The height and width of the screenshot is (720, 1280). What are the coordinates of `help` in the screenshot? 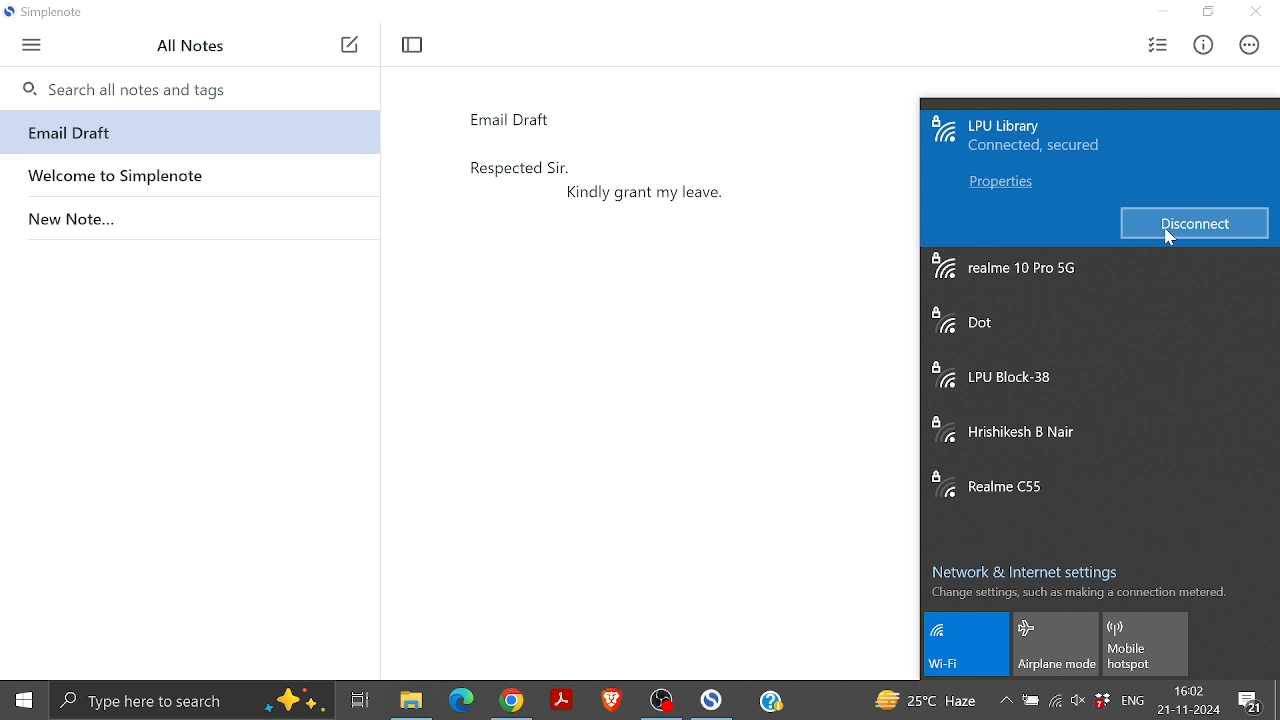 It's located at (771, 701).